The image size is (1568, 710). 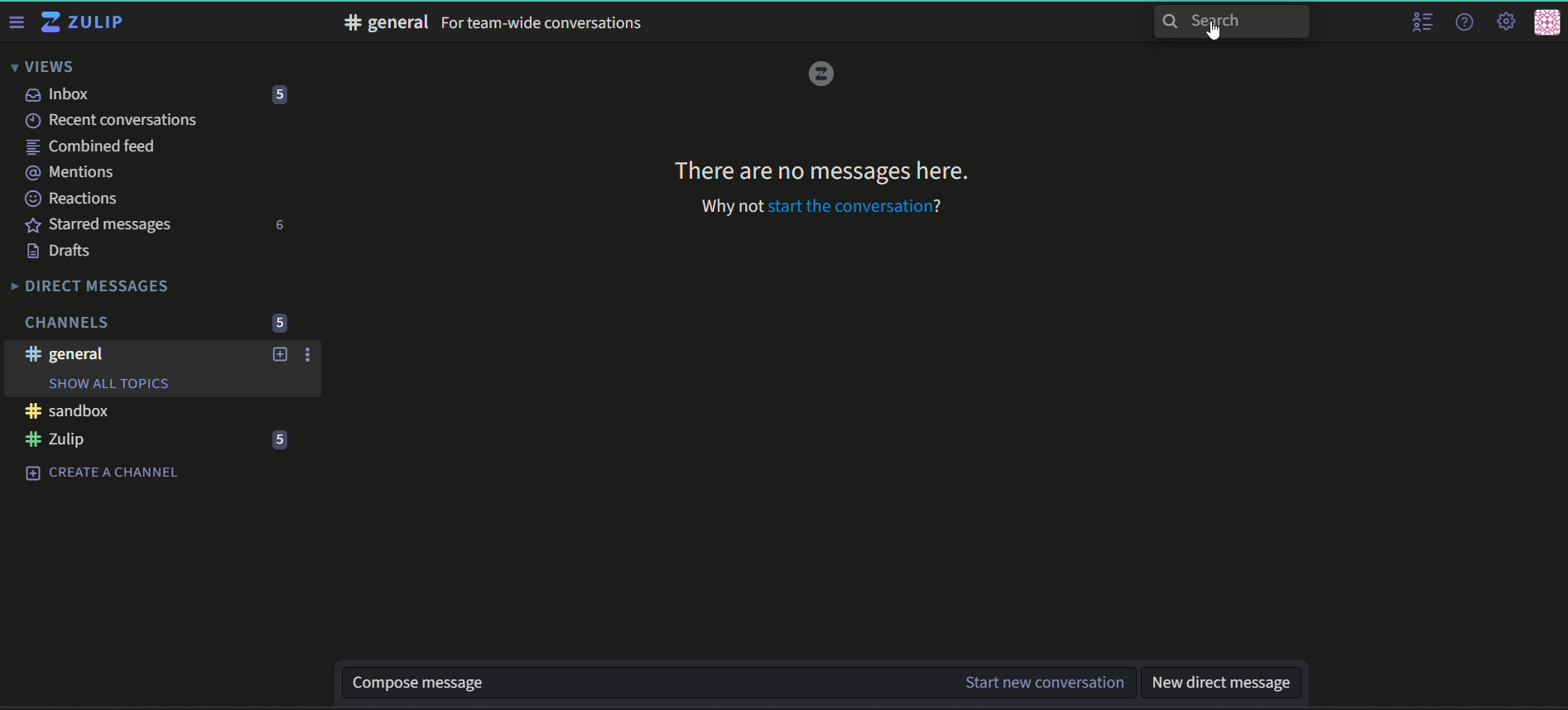 What do you see at coordinates (281, 355) in the screenshot?
I see `add` at bounding box center [281, 355].